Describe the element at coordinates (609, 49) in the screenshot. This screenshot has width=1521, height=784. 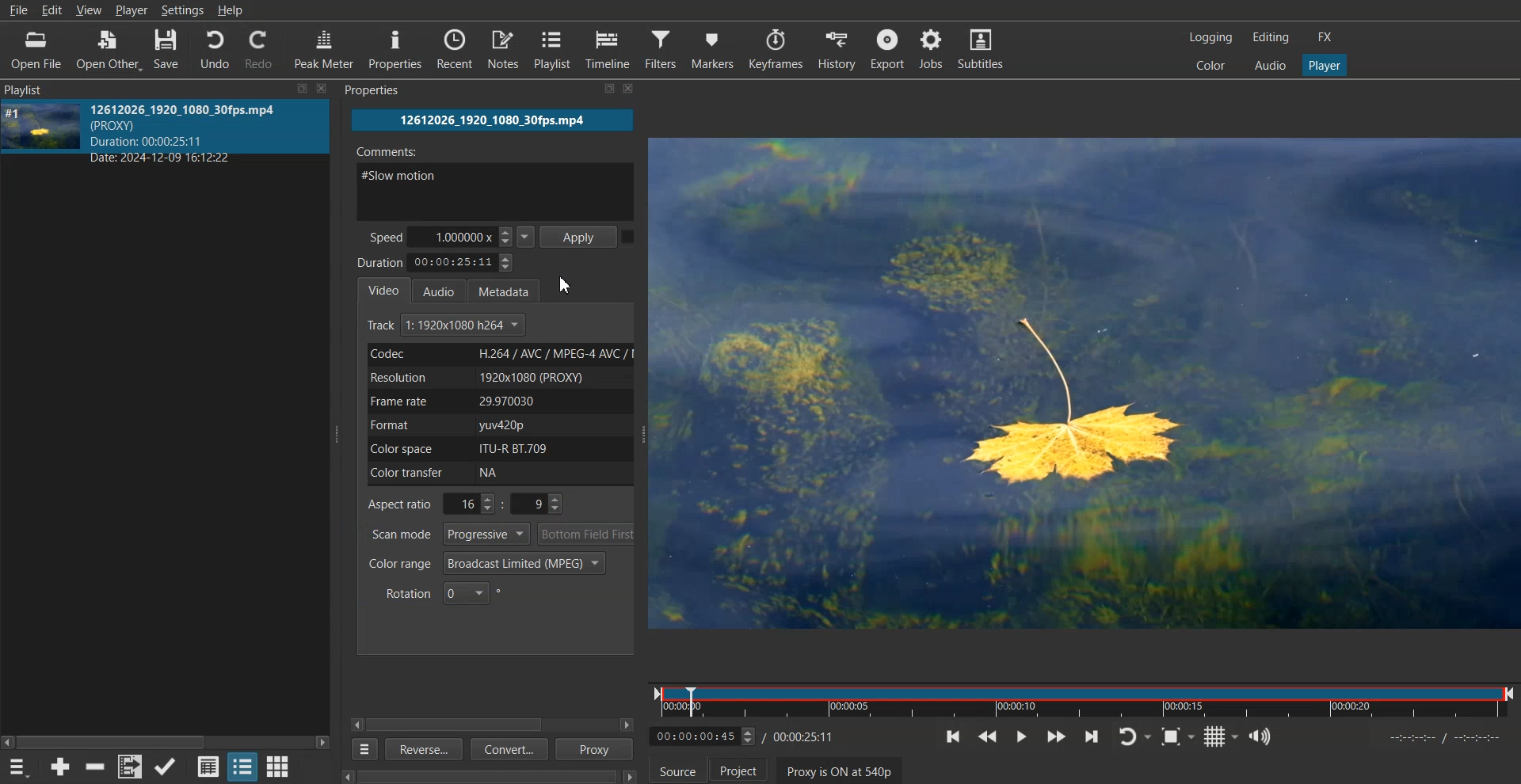
I see `Timeline` at that location.